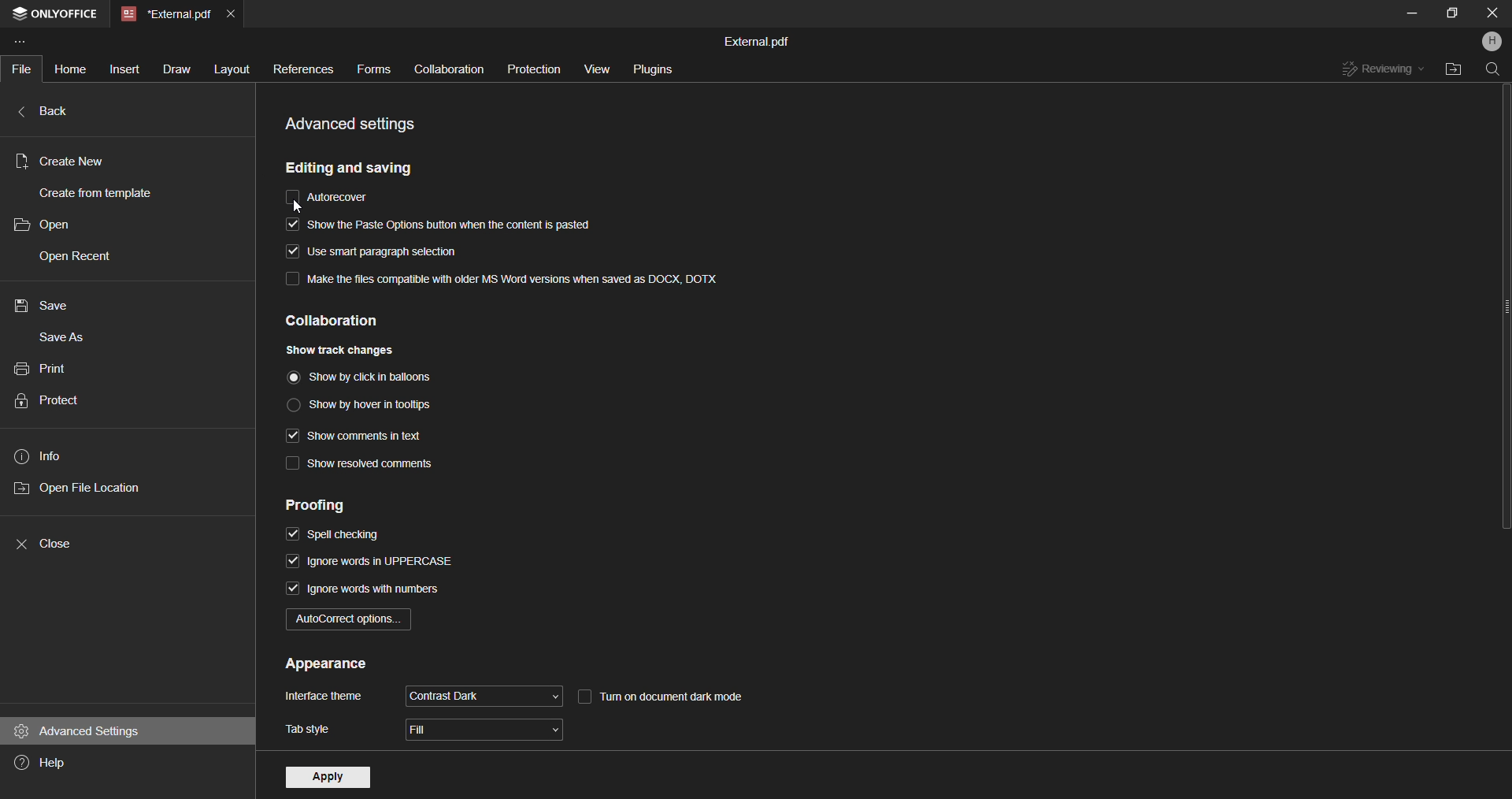  I want to click on Protection, so click(531, 69).